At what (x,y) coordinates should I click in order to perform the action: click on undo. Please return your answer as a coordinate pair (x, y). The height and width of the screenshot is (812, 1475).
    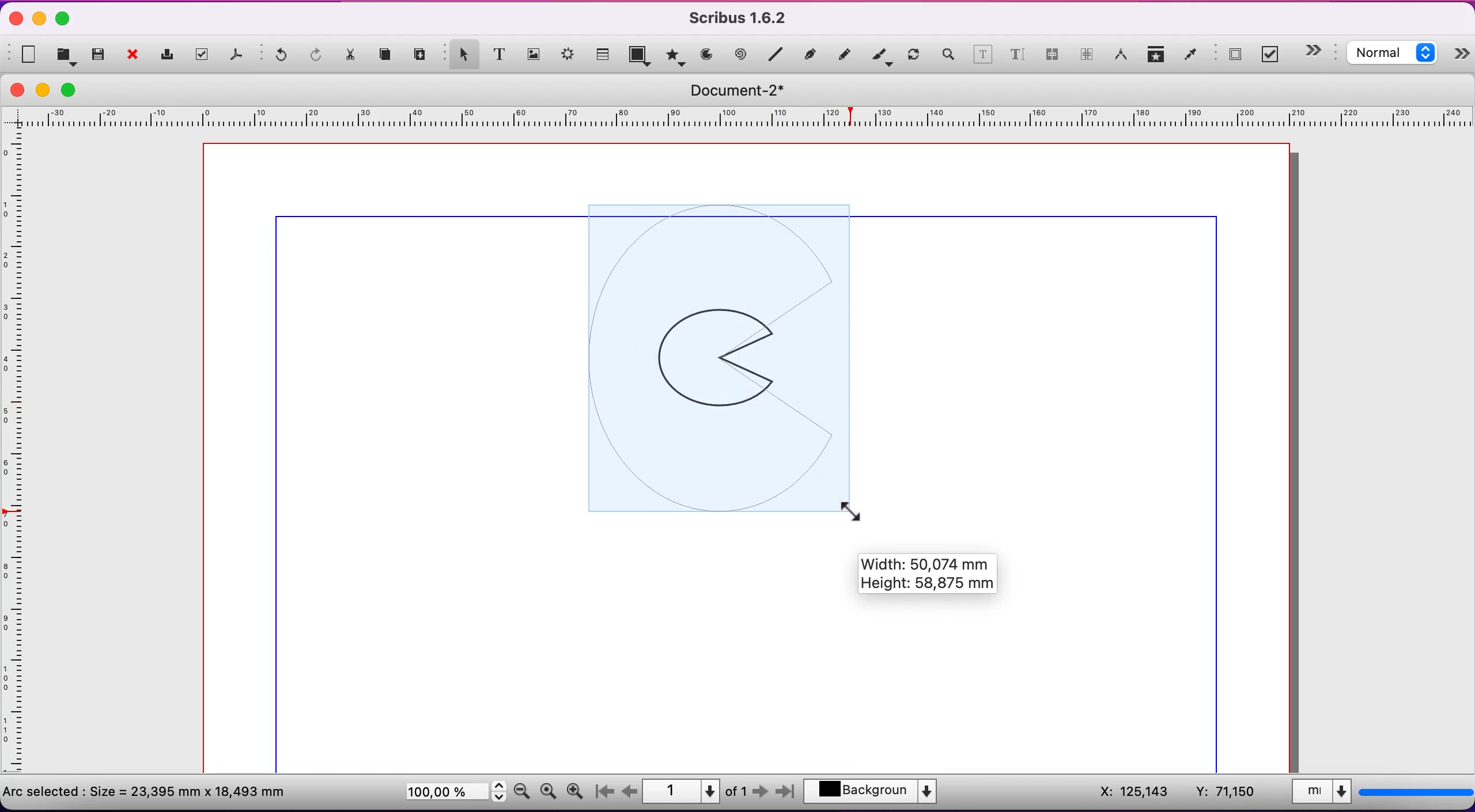
    Looking at the image, I should click on (277, 58).